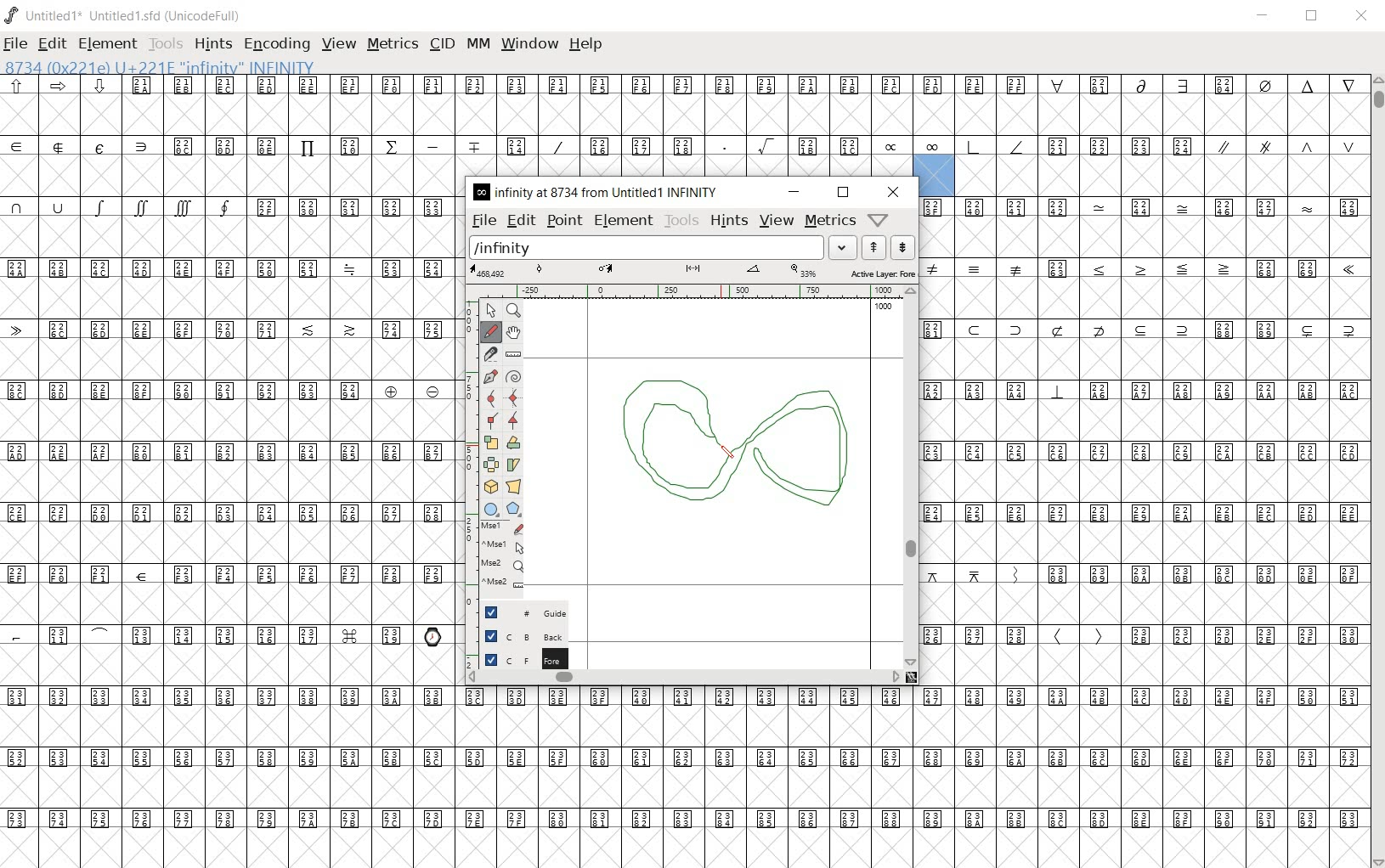 The image size is (1385, 868). Describe the element at coordinates (231, 421) in the screenshot. I see `empty glyph slots` at that location.